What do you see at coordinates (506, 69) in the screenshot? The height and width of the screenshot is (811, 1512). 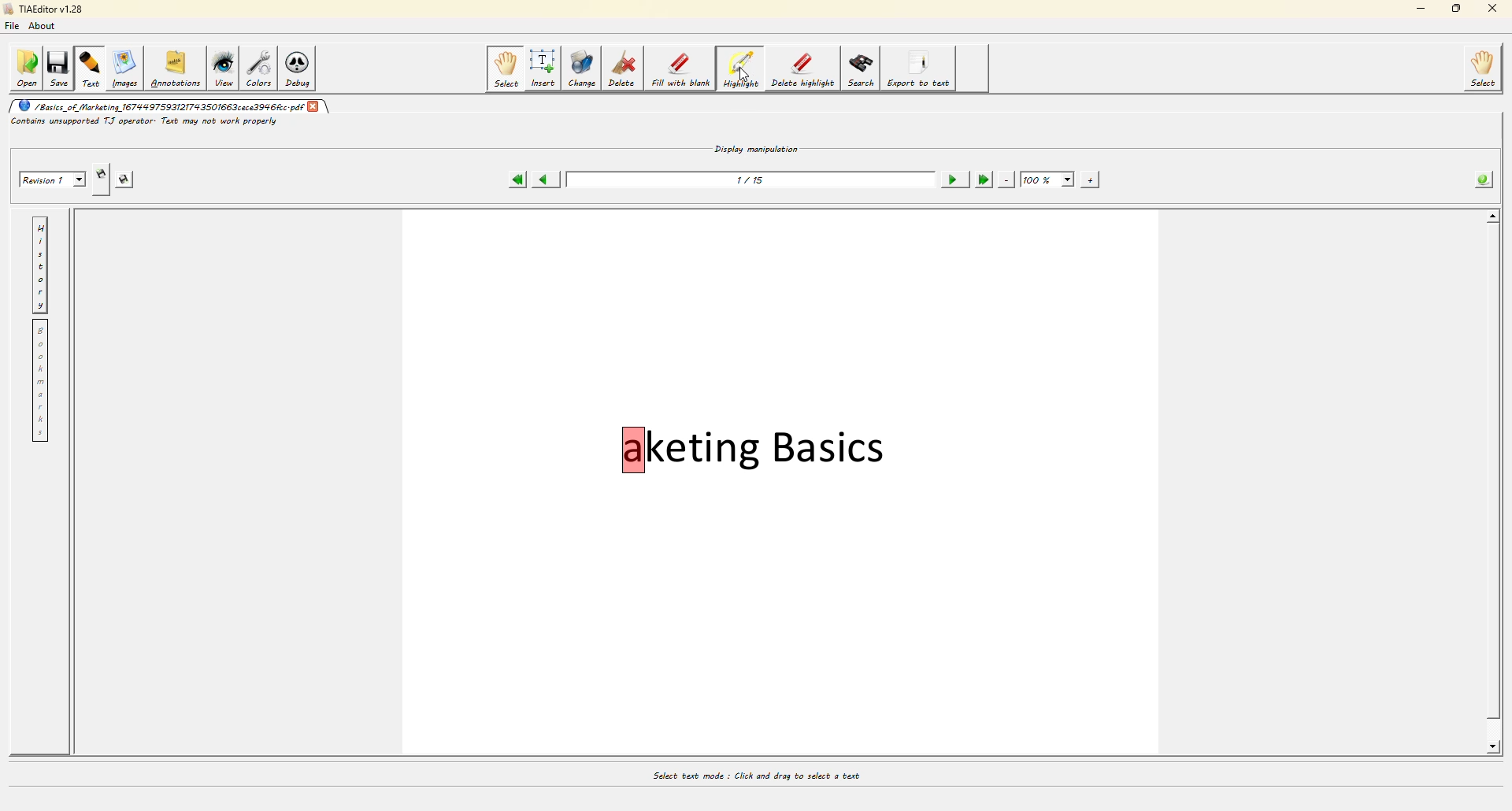 I see `select` at bounding box center [506, 69].